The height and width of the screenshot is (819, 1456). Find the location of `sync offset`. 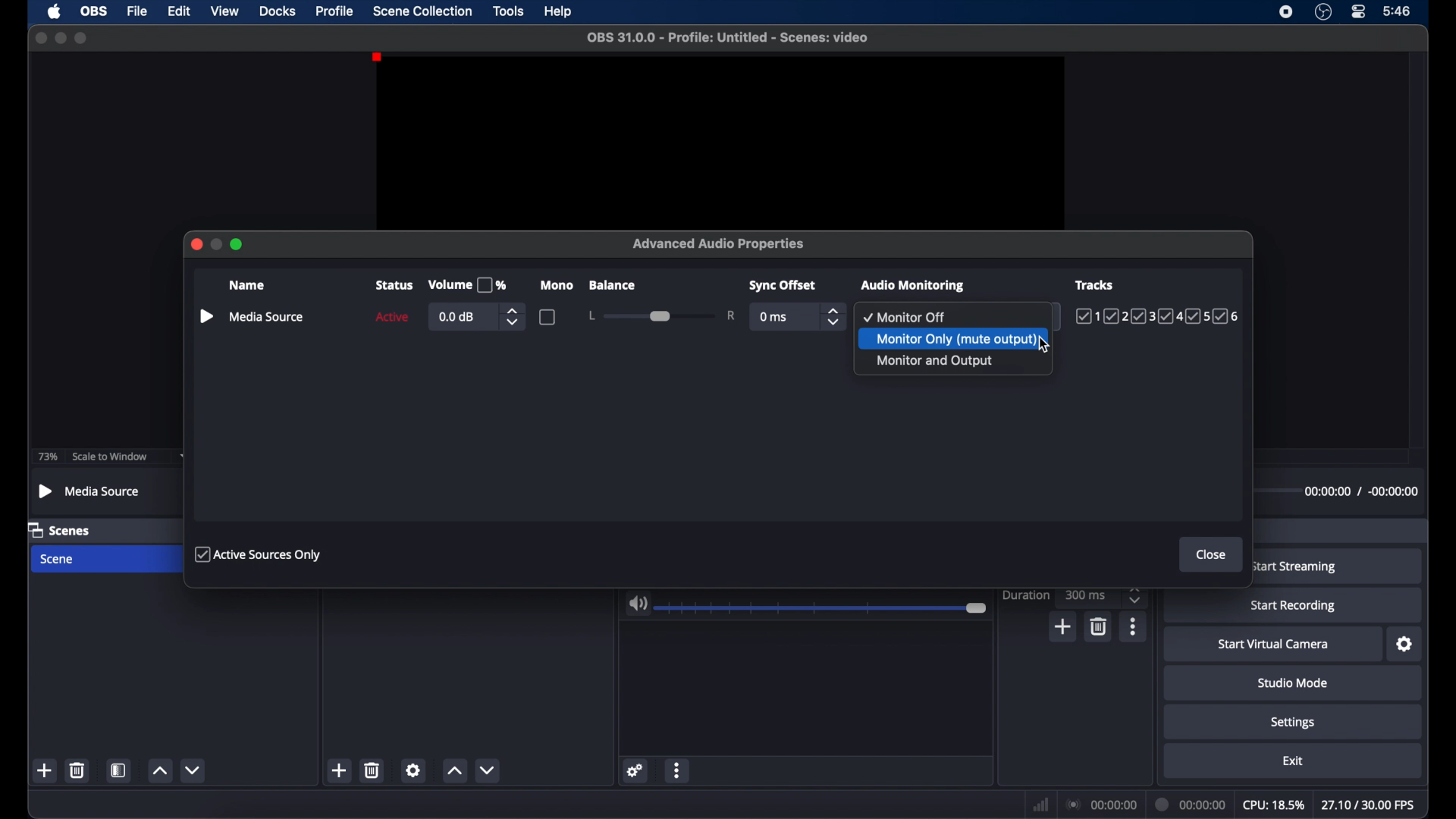

sync offset is located at coordinates (784, 286).